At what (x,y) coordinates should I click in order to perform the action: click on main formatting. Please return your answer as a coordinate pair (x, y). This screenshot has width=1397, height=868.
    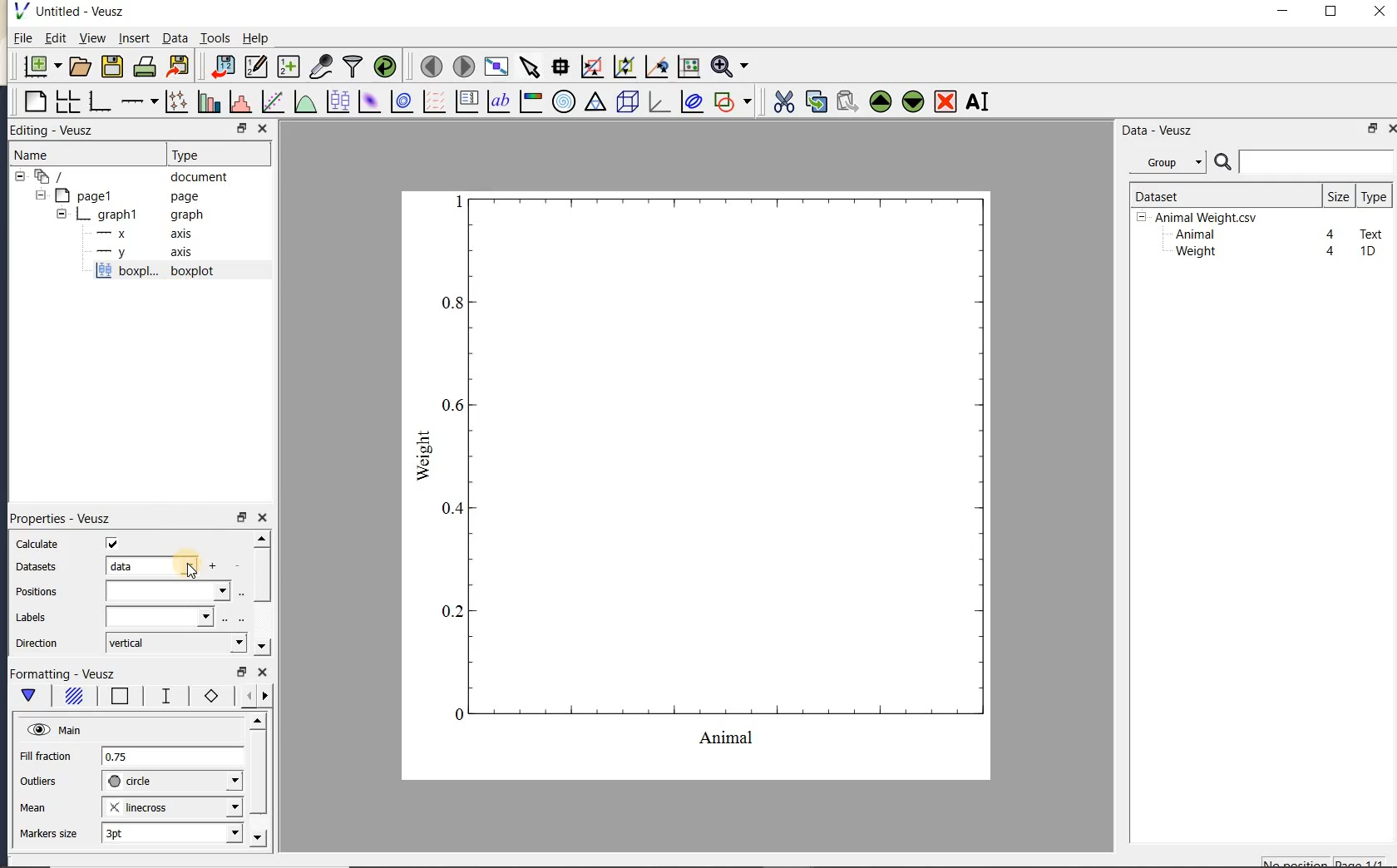
    Looking at the image, I should click on (28, 698).